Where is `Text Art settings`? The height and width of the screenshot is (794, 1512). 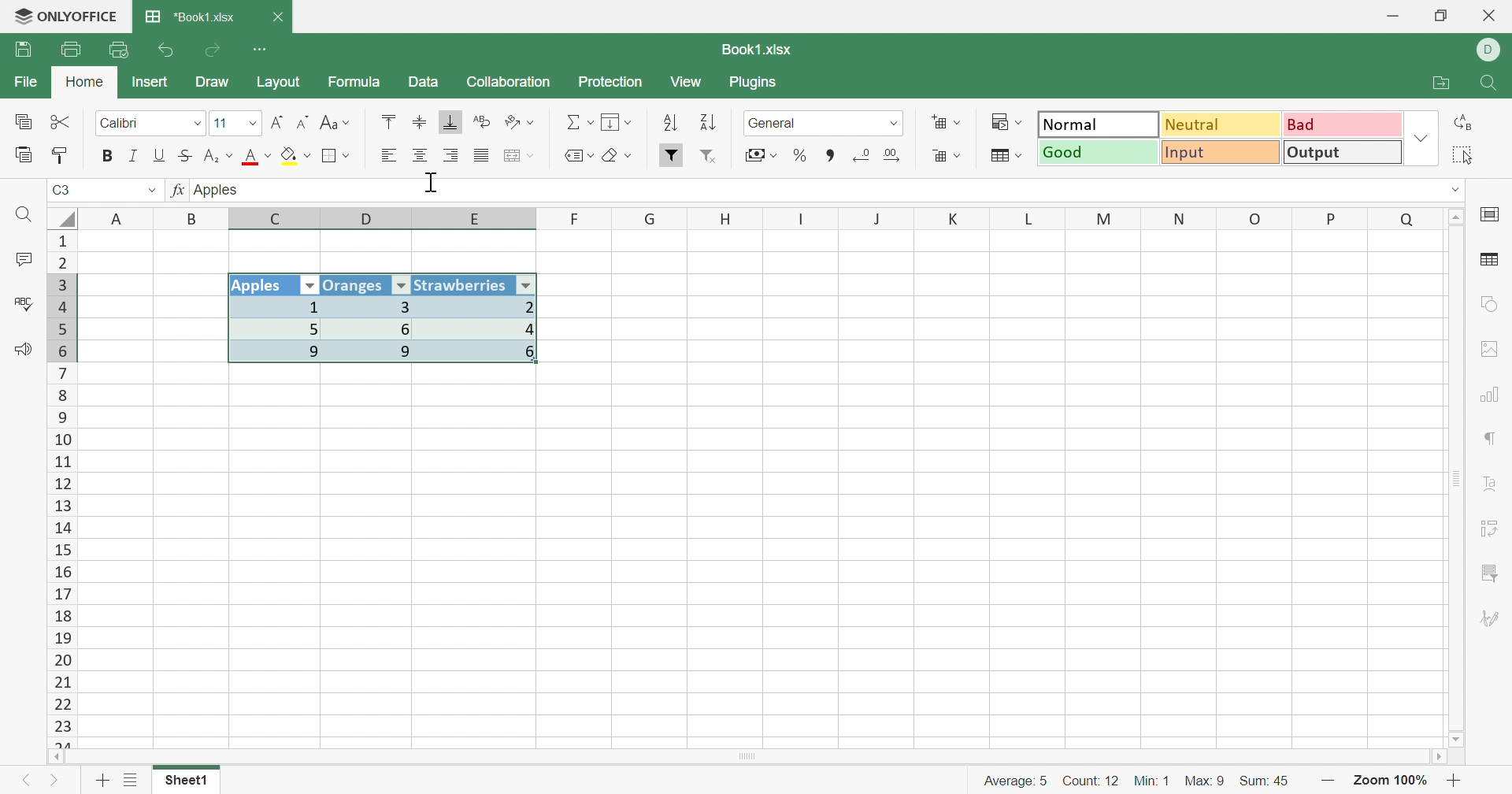
Text Art settings is located at coordinates (1494, 485).